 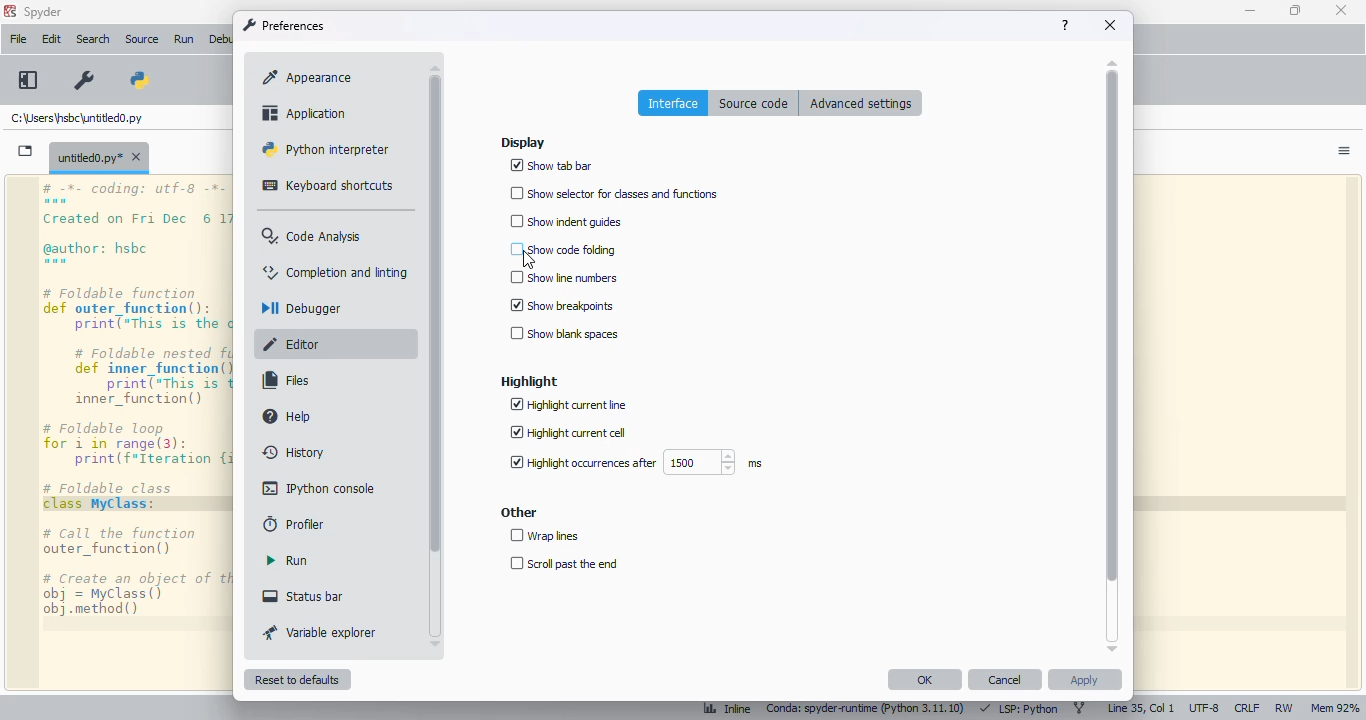 What do you see at coordinates (85, 81) in the screenshot?
I see `preferences` at bounding box center [85, 81].